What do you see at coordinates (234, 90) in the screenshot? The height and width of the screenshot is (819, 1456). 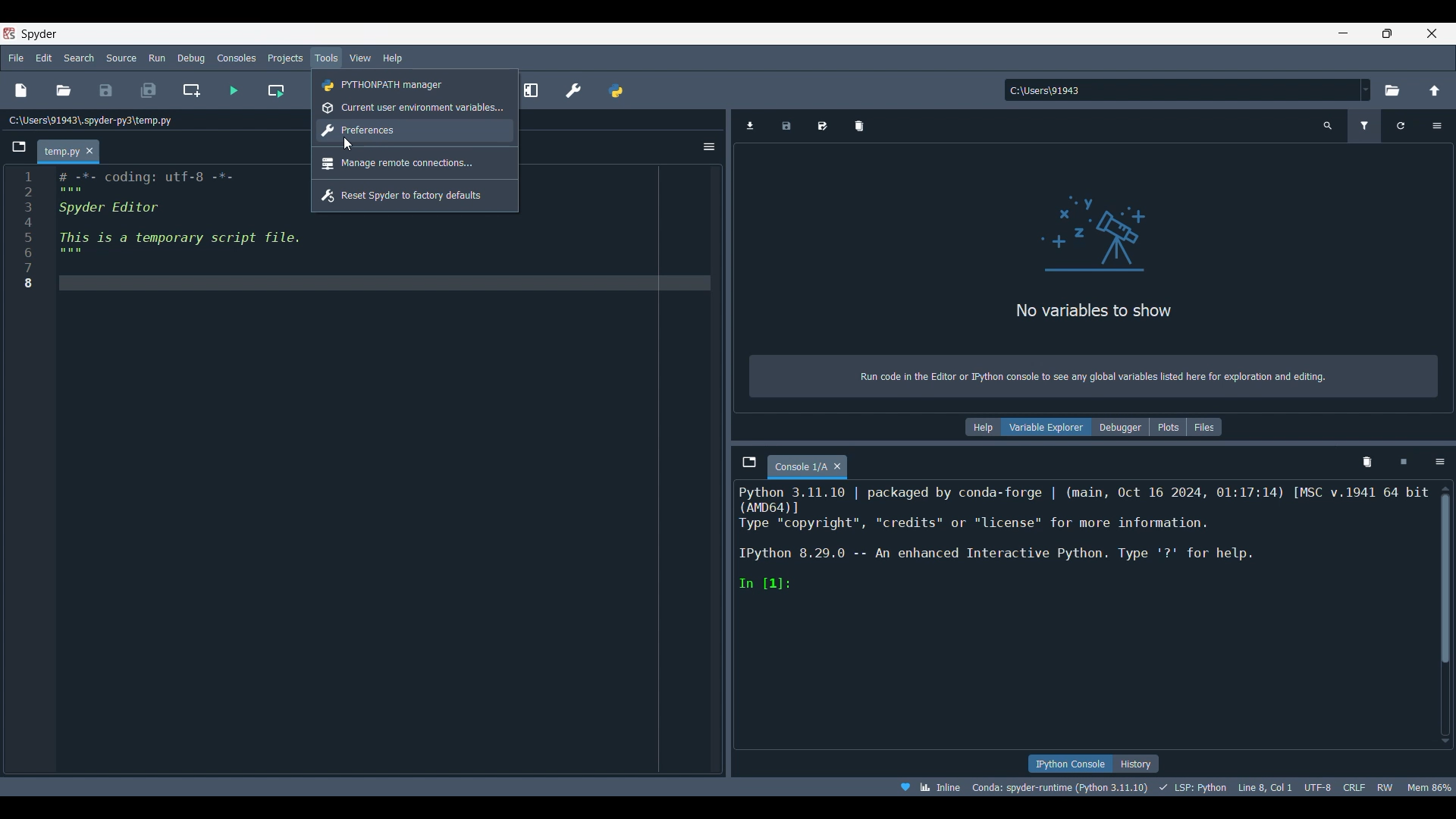 I see `Run file` at bounding box center [234, 90].